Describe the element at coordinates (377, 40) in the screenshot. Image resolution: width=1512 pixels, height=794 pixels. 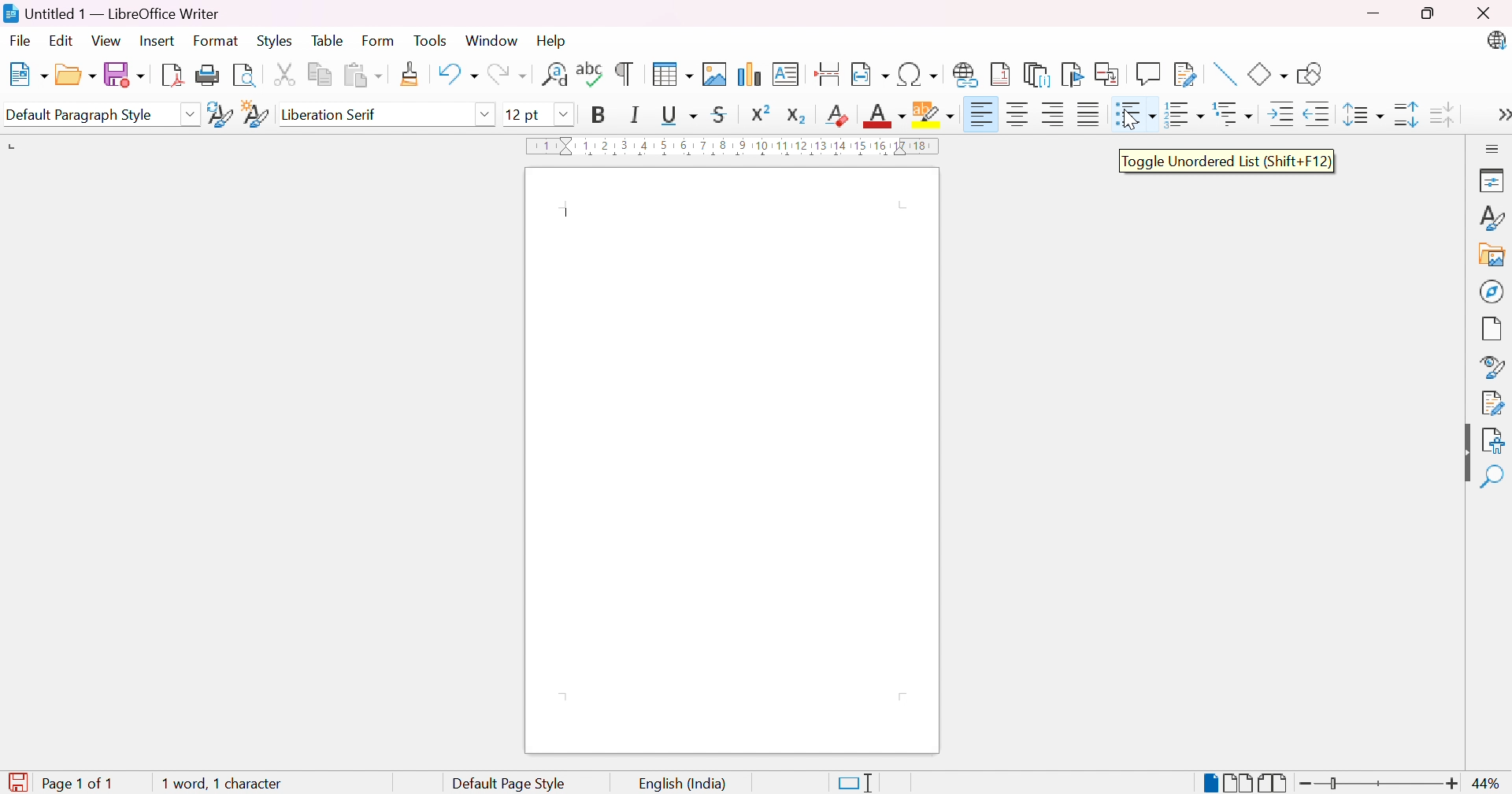
I see `Form` at that location.